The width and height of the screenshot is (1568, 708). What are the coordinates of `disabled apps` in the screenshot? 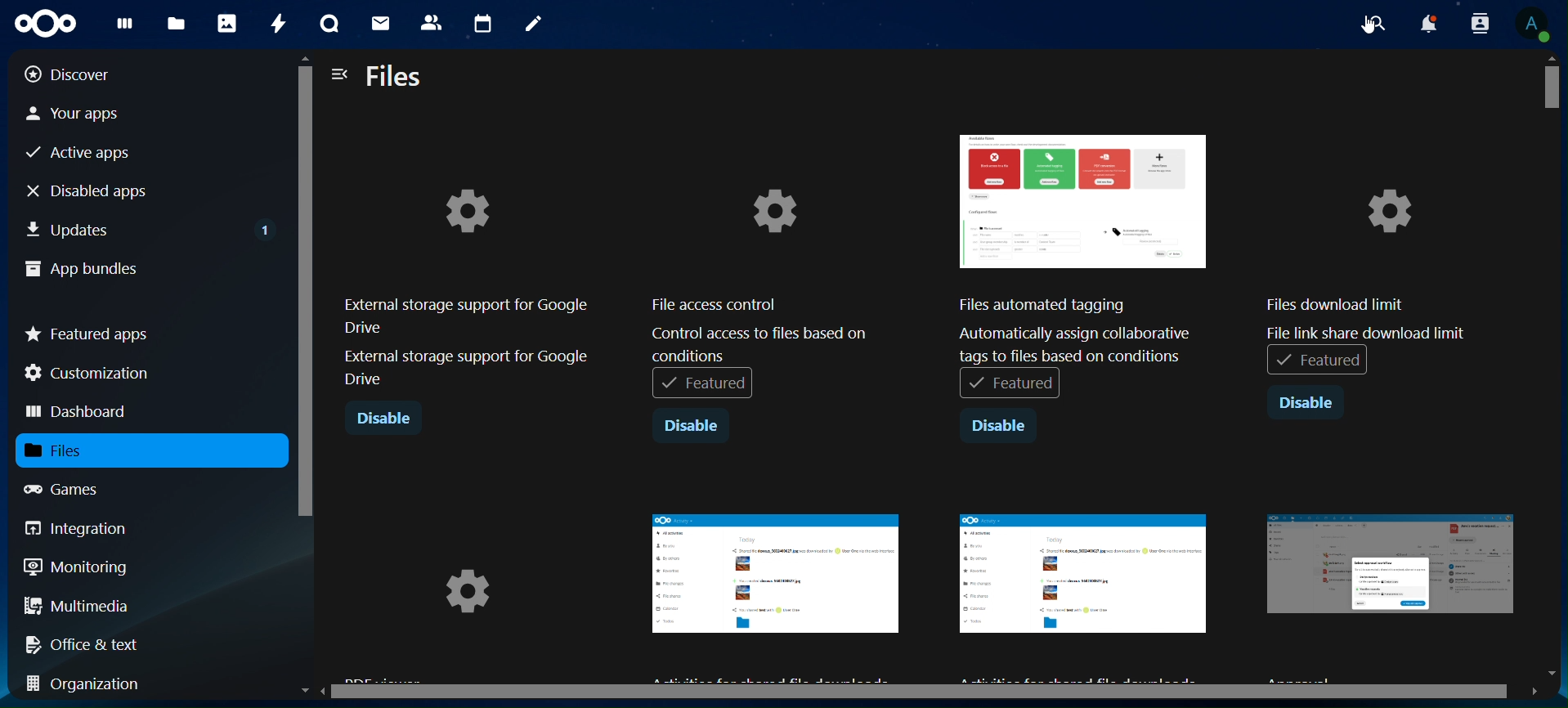 It's located at (101, 190).